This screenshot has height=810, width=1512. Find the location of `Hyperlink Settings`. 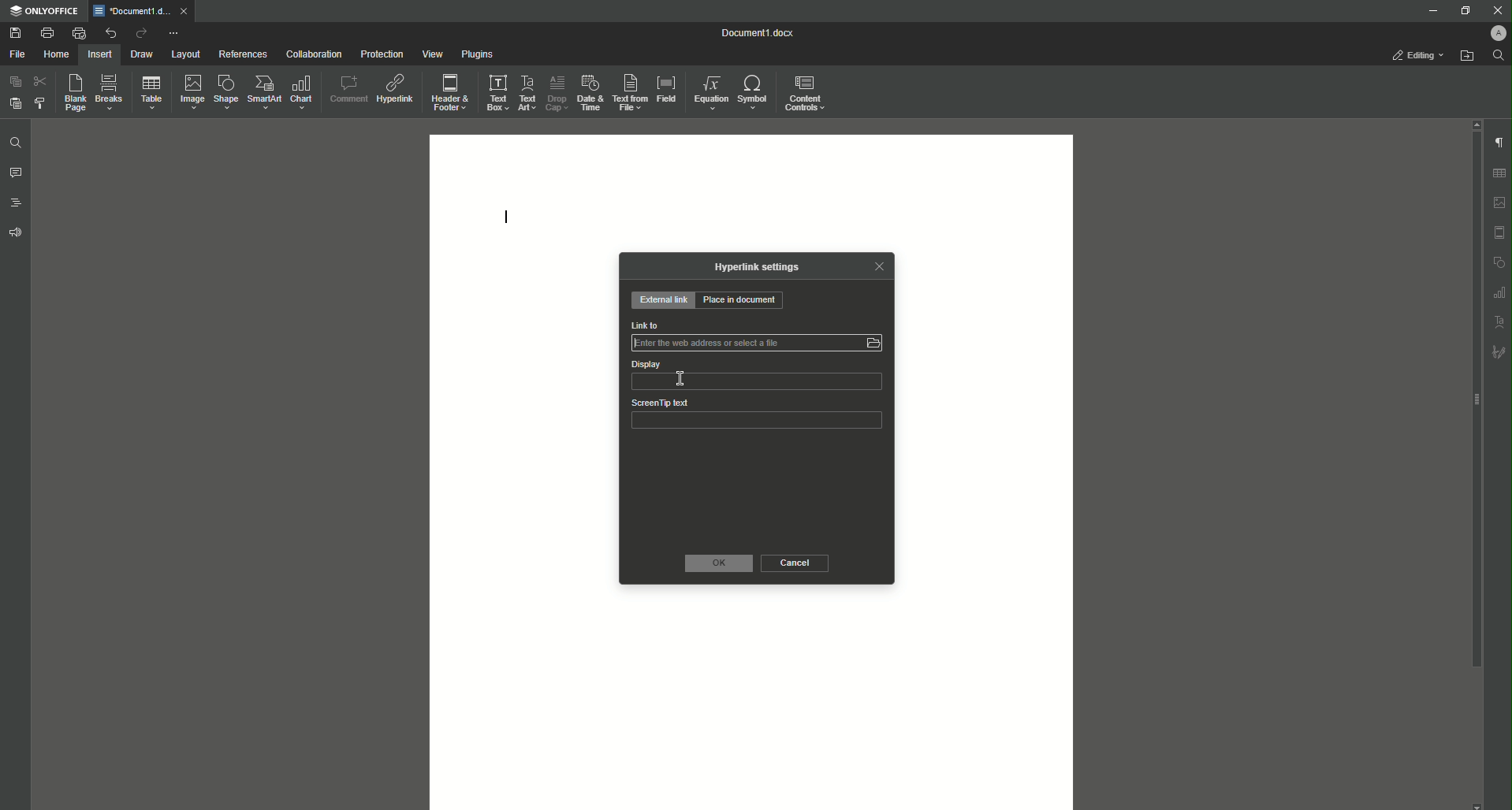

Hyperlink Settings is located at coordinates (753, 271).